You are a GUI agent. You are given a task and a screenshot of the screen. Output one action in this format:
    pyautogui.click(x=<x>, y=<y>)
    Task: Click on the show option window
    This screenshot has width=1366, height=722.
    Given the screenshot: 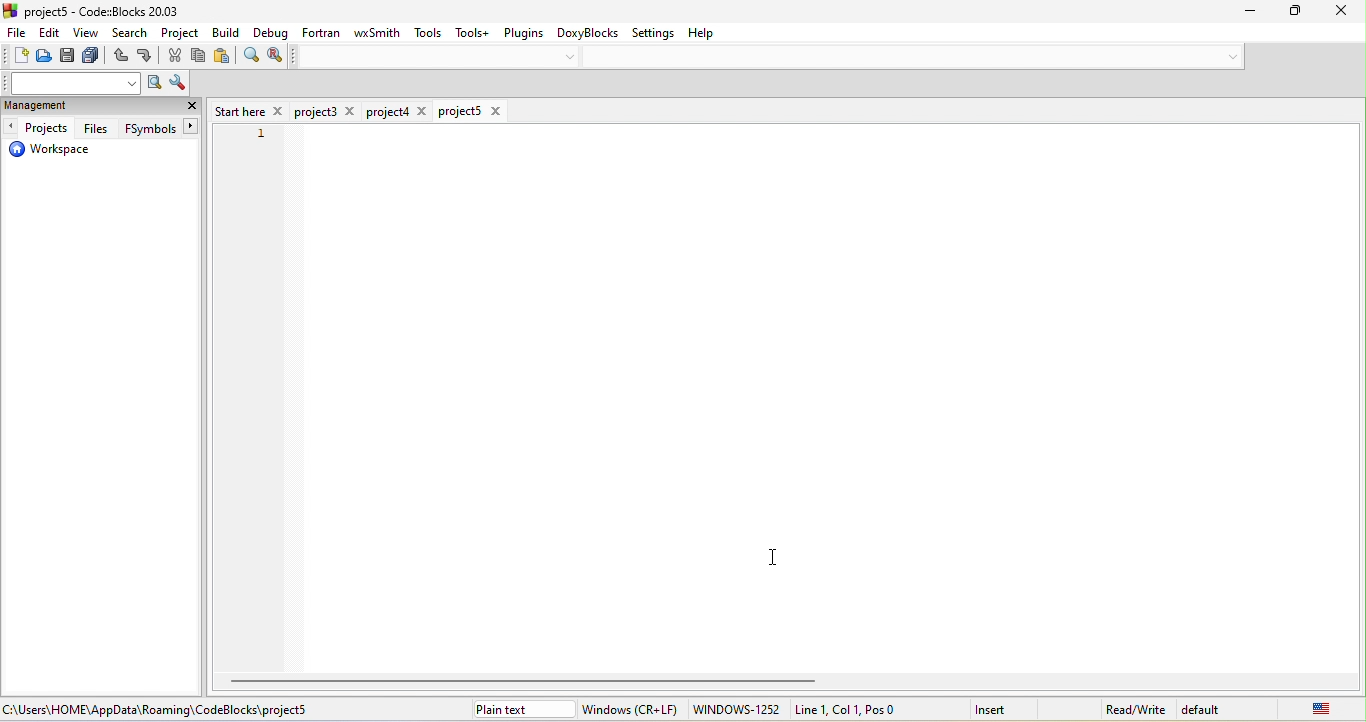 What is the action you would take?
    pyautogui.click(x=177, y=84)
    